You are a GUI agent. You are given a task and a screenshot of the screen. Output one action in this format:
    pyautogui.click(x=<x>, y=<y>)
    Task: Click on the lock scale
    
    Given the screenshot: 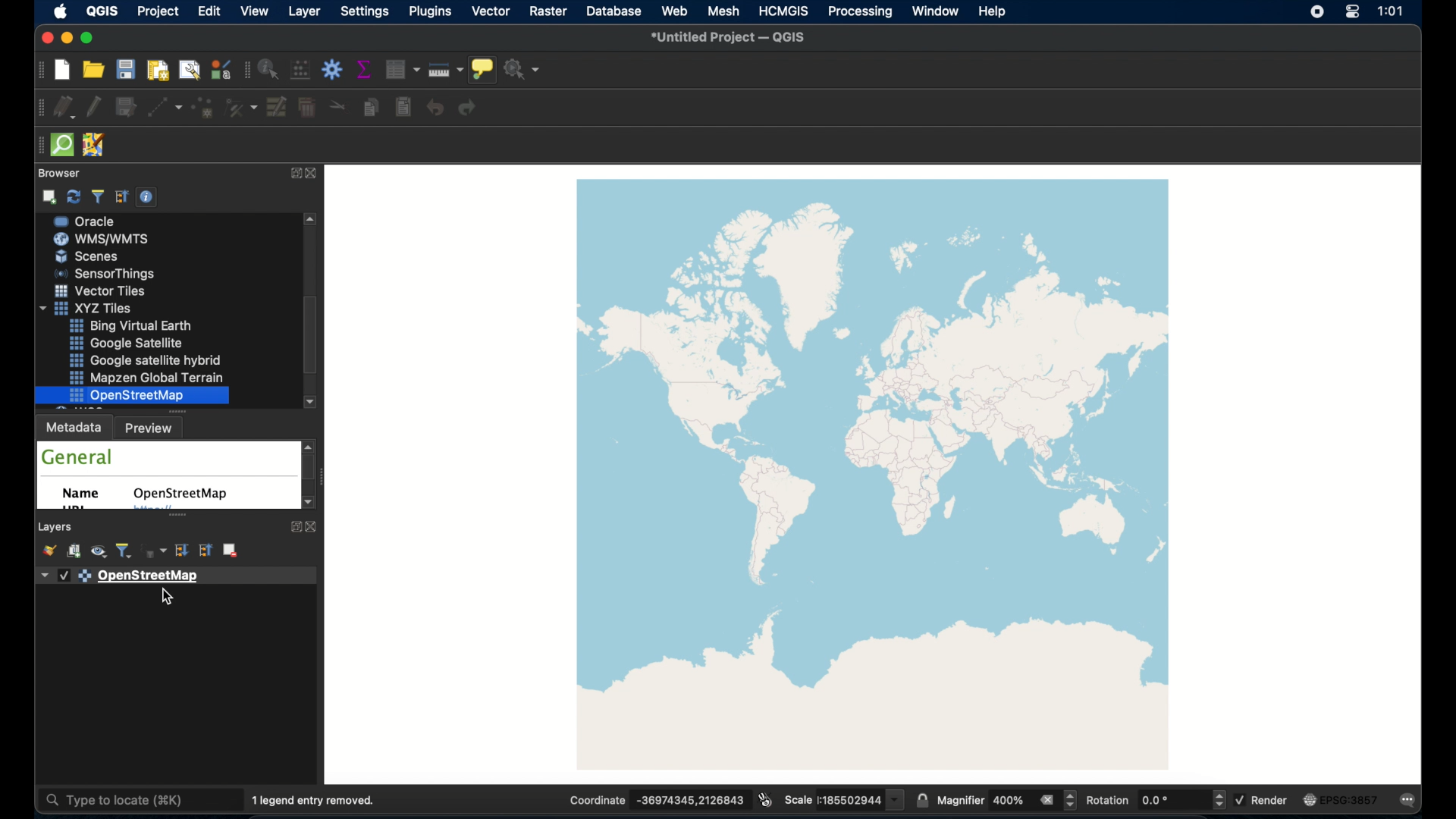 What is the action you would take?
    pyautogui.click(x=923, y=799)
    